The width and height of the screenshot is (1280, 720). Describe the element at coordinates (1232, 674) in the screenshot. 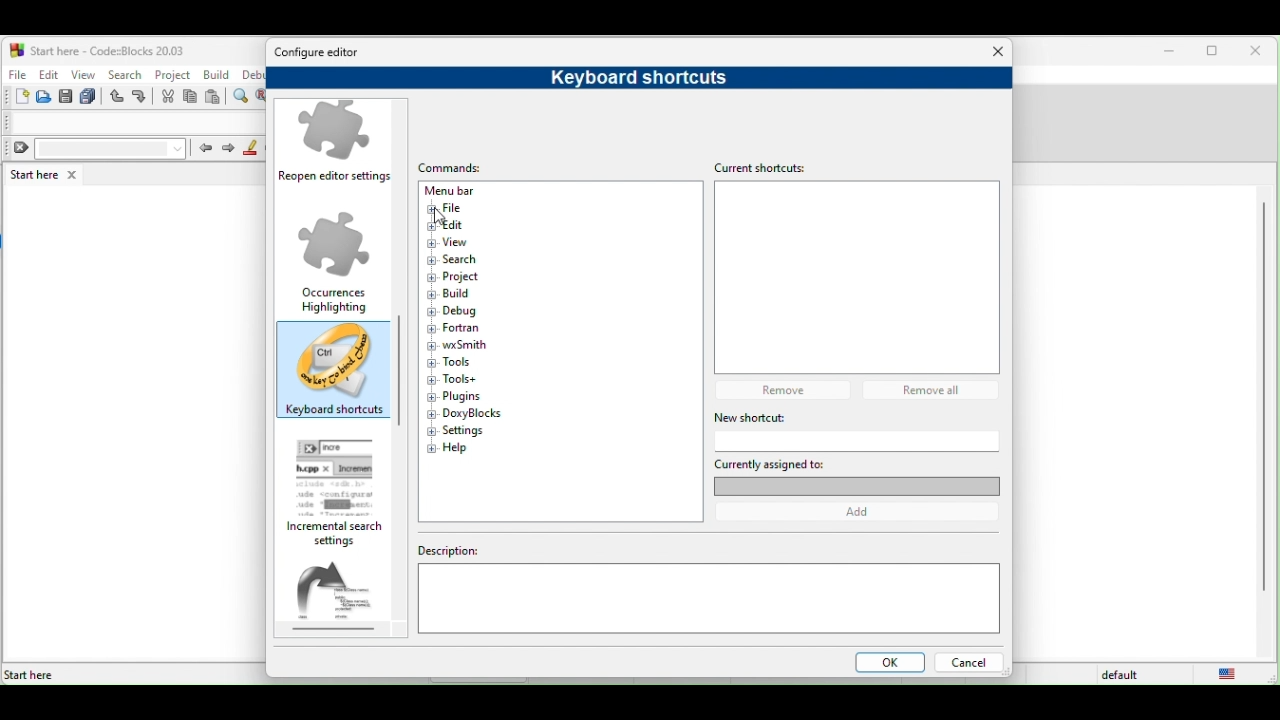

I see `united state` at that location.